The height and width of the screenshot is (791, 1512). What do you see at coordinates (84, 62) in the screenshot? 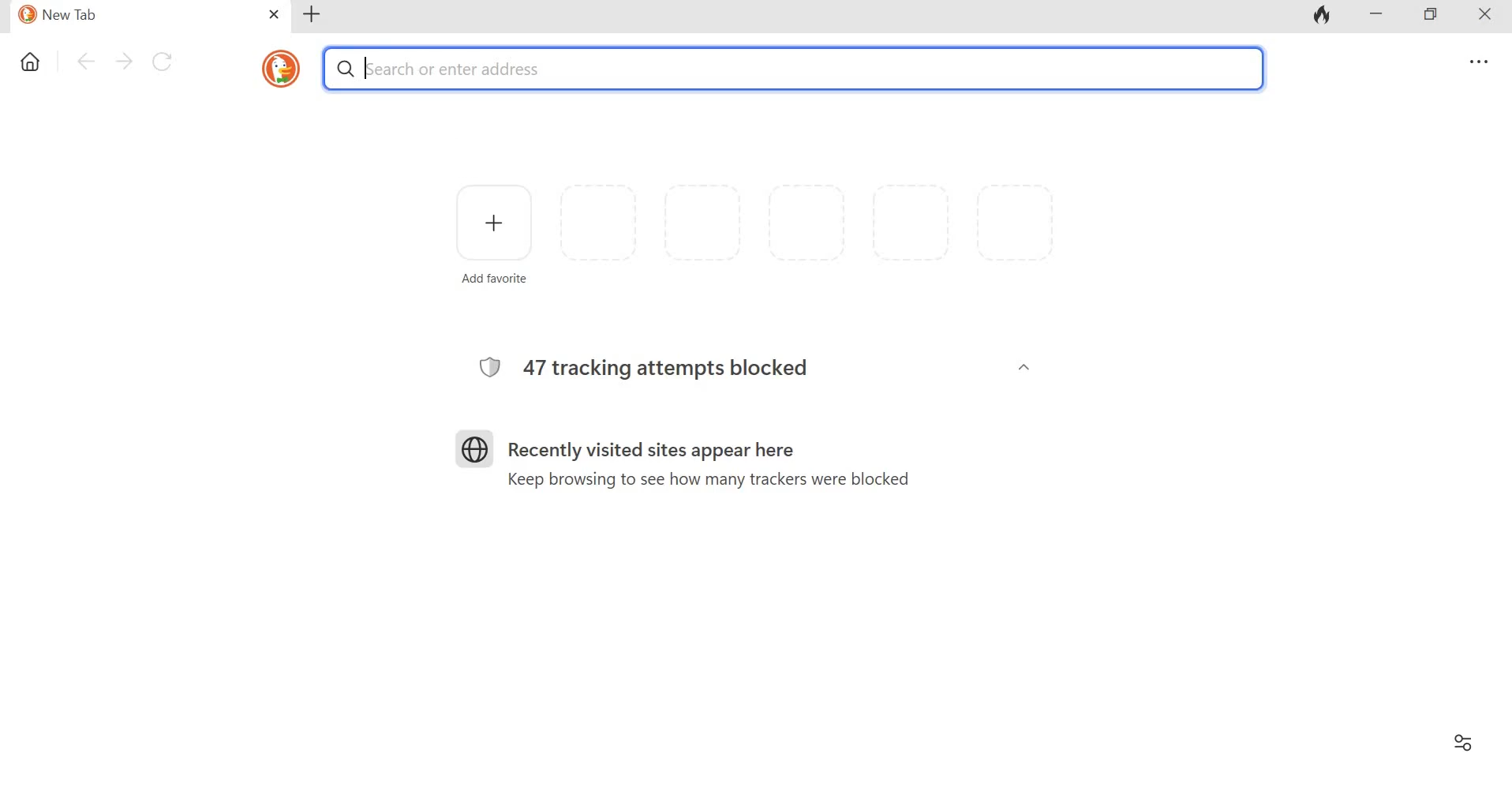
I see `Go back one page` at bounding box center [84, 62].